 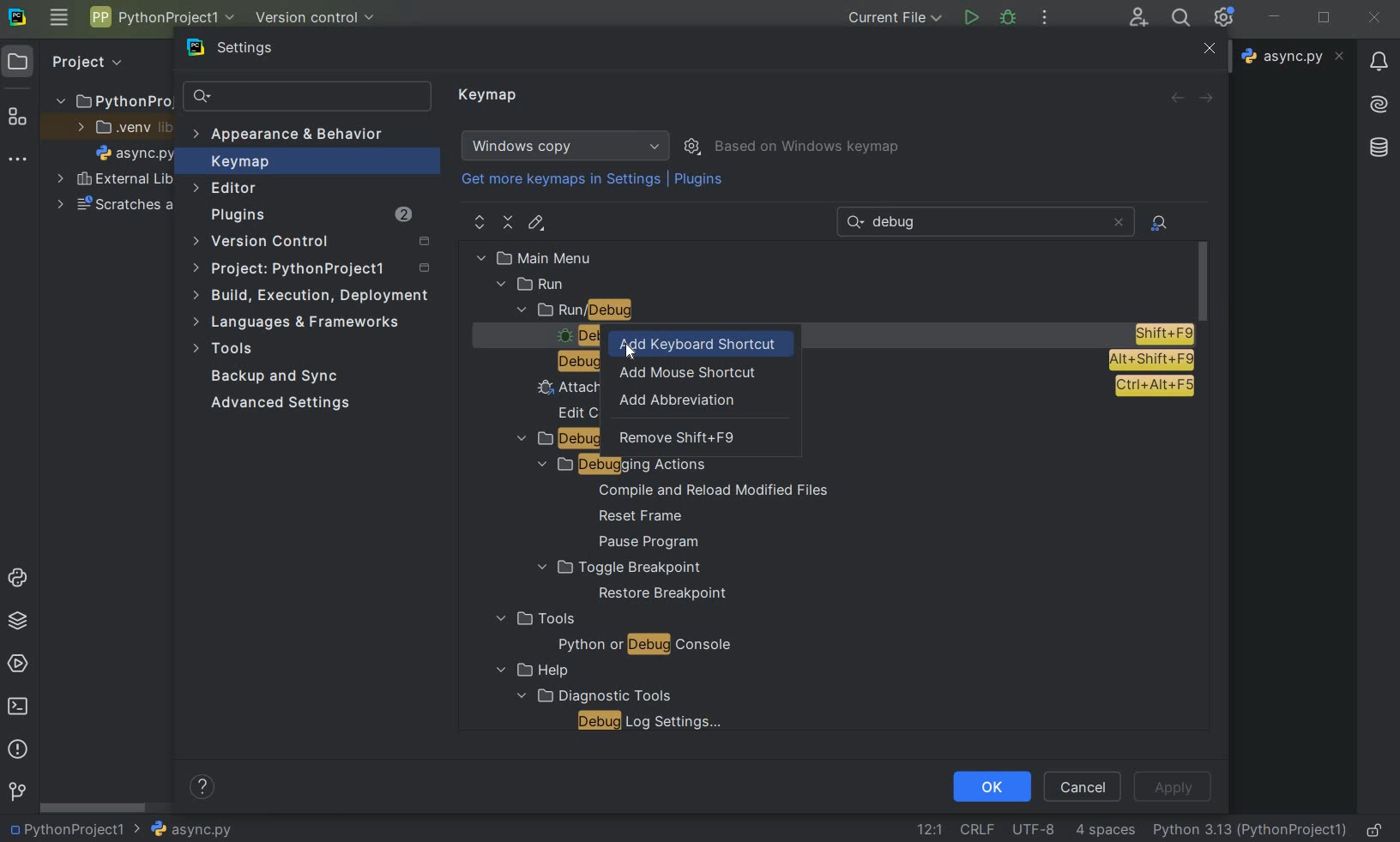 I want to click on reset frame, so click(x=636, y=517).